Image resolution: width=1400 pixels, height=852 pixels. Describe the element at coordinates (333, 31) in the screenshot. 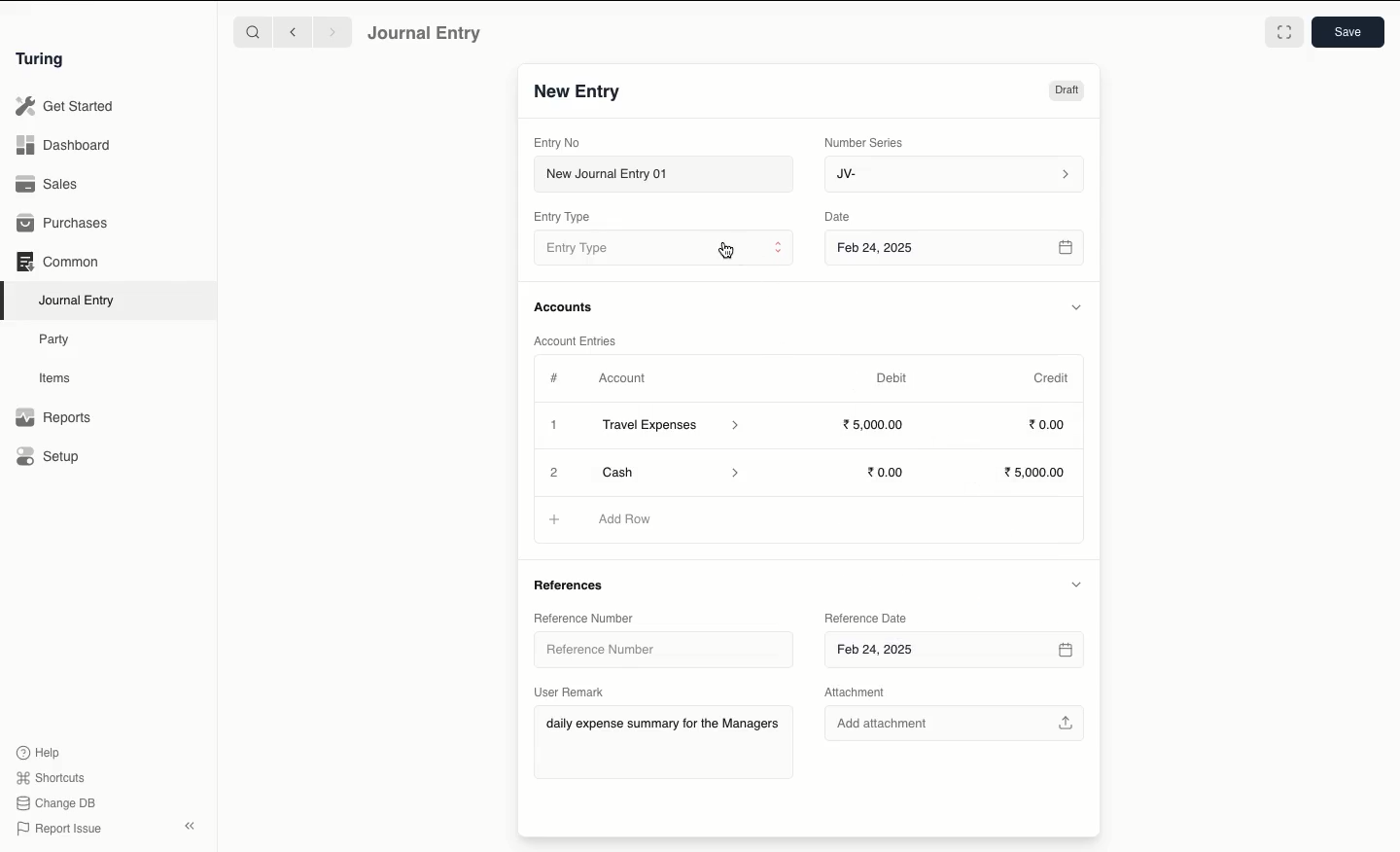

I see `Forward` at that location.